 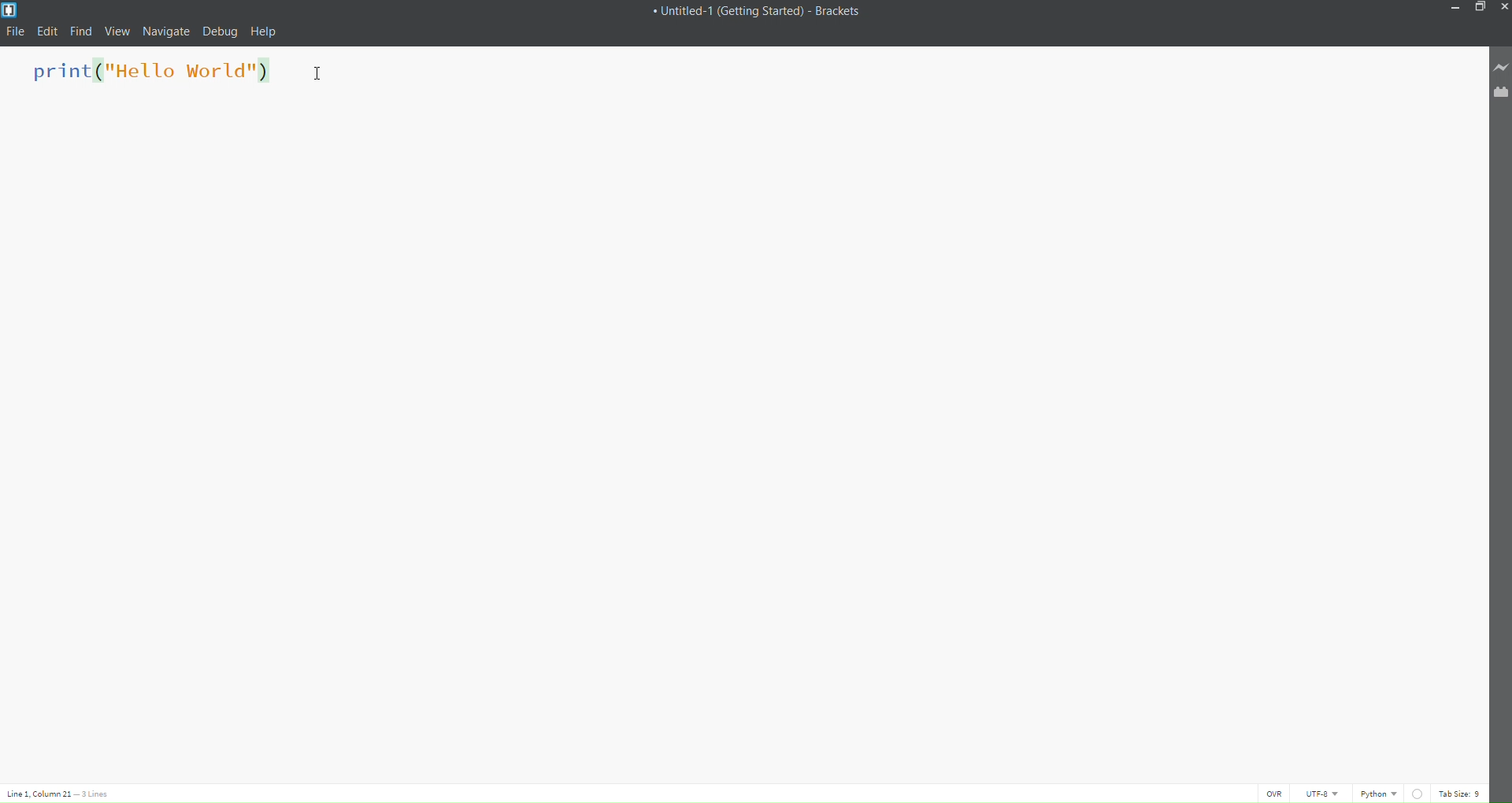 What do you see at coordinates (15, 31) in the screenshot?
I see `file` at bounding box center [15, 31].